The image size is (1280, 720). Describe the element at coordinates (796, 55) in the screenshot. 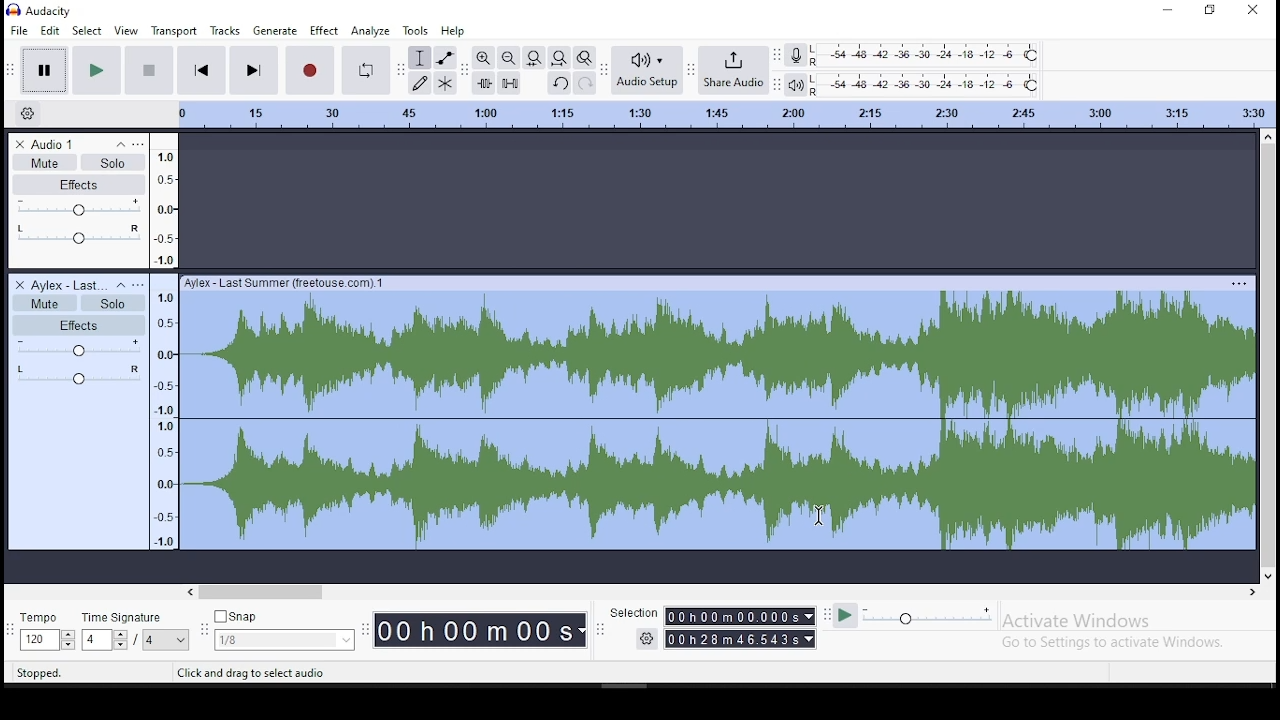

I see `record meter` at that location.